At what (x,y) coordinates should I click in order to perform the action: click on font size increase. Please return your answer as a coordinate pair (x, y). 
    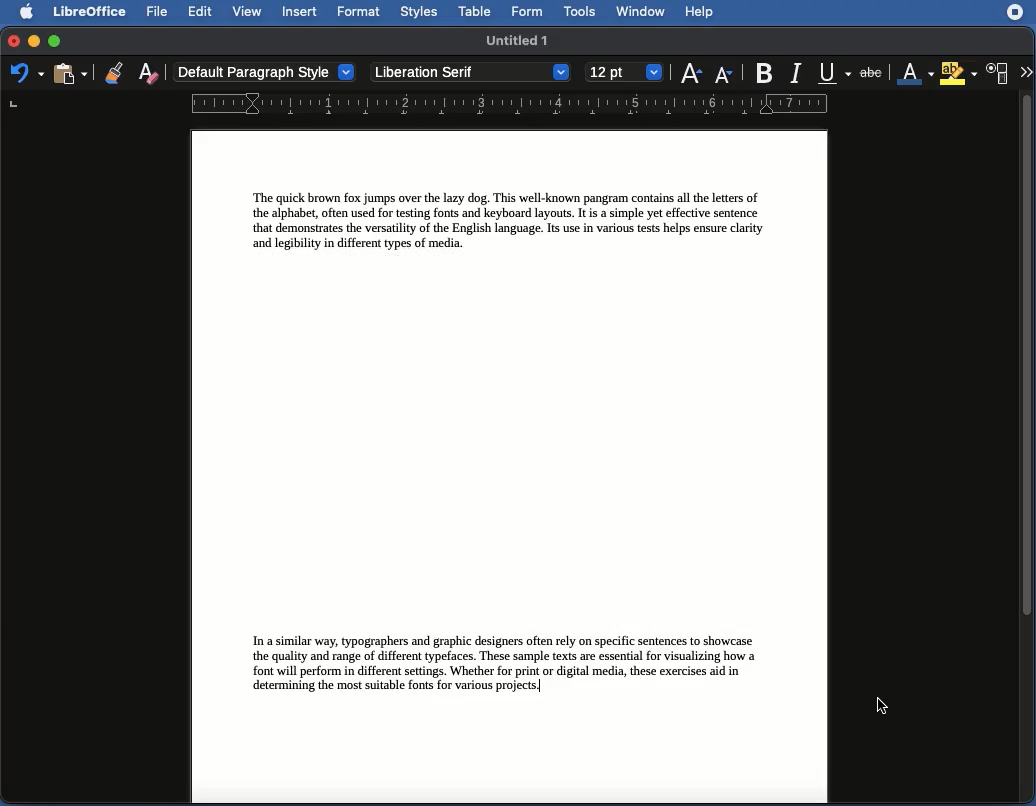
    Looking at the image, I should click on (688, 77).